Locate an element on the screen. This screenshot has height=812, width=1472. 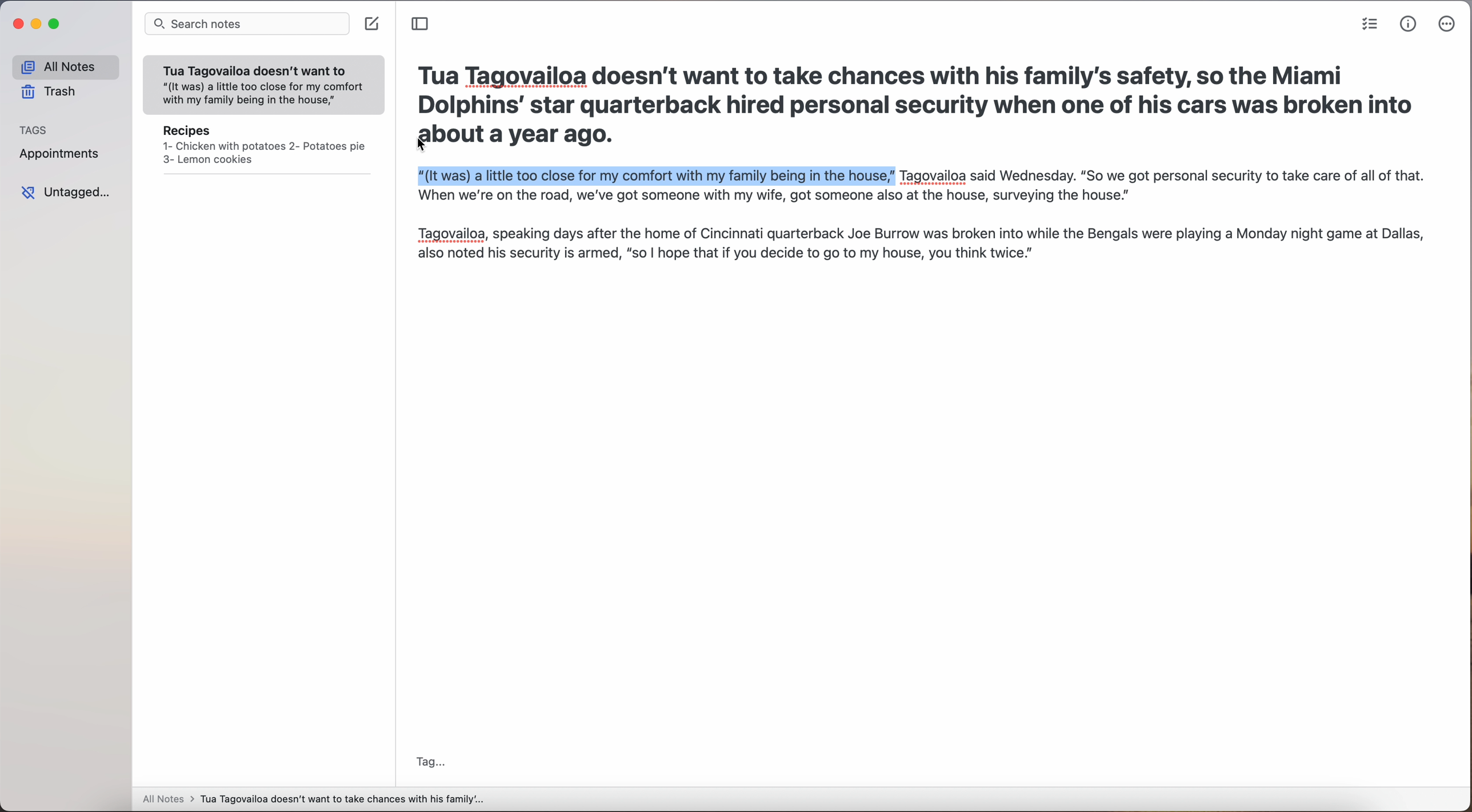
Appointments tags is located at coordinates (60, 153).